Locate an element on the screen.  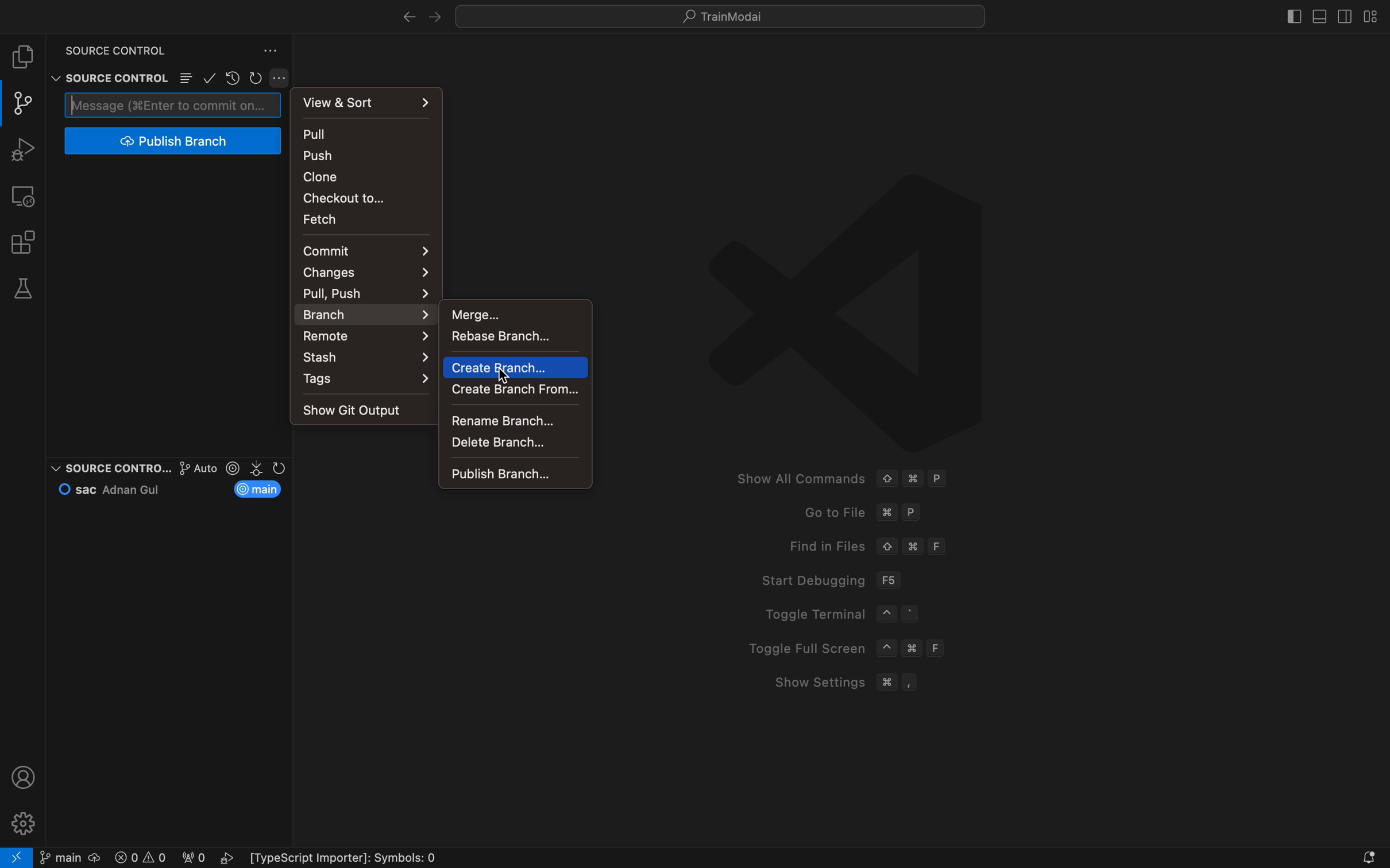
restore is located at coordinates (232, 77).